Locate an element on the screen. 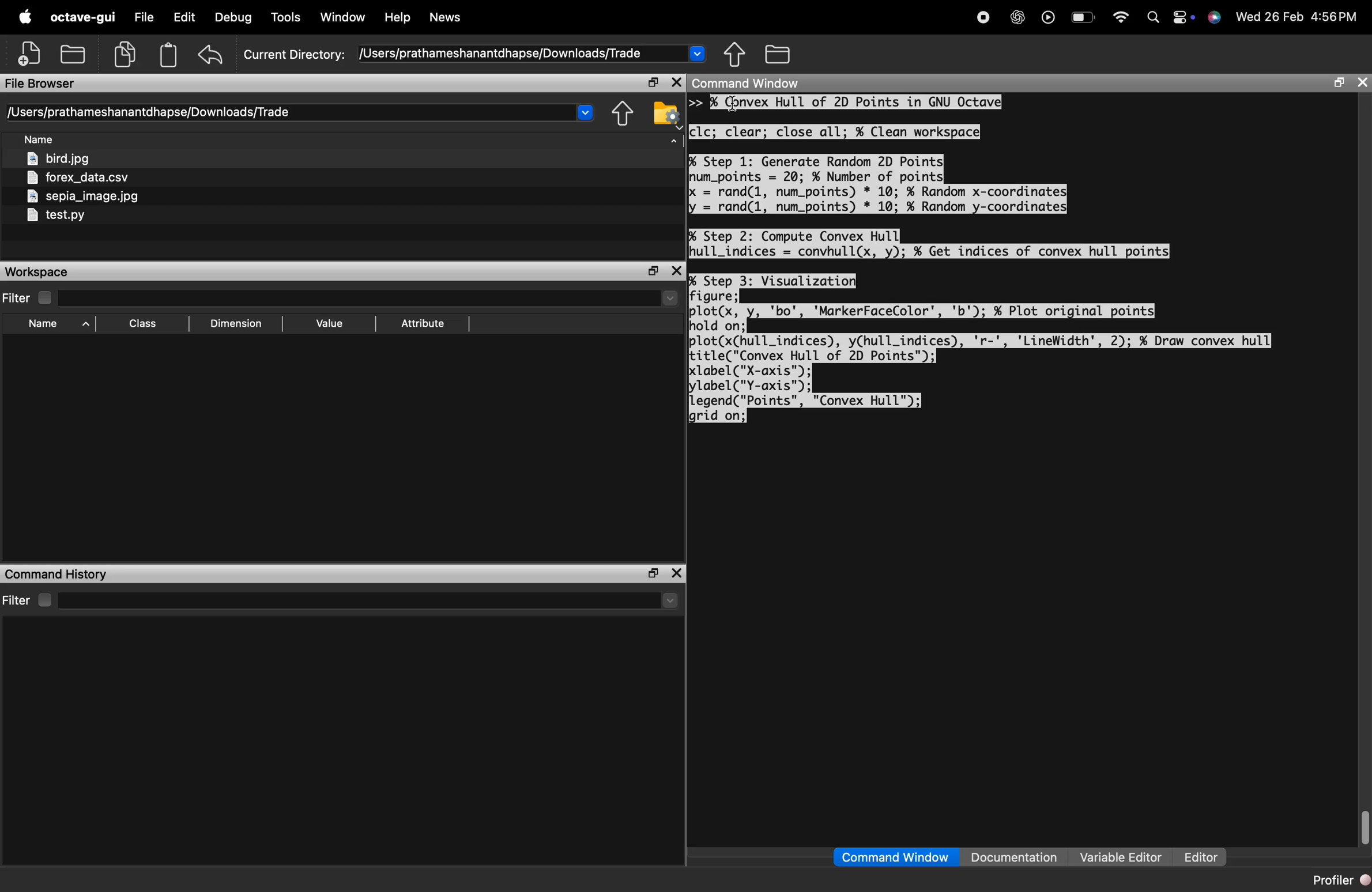 This screenshot has height=892, width=1372. scrollbar is located at coordinates (1363, 830).